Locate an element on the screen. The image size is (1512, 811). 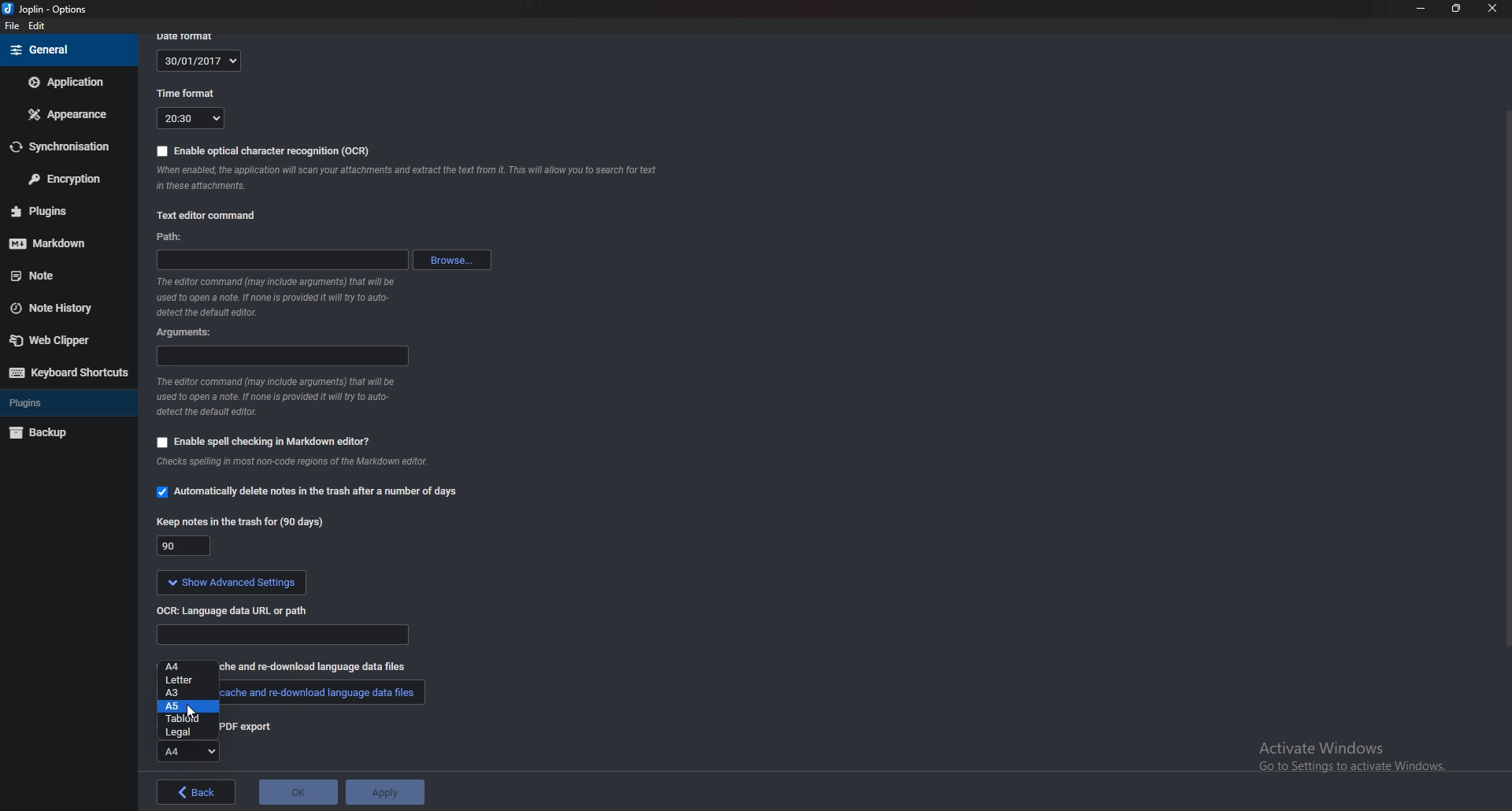
A5 is located at coordinates (190, 706).